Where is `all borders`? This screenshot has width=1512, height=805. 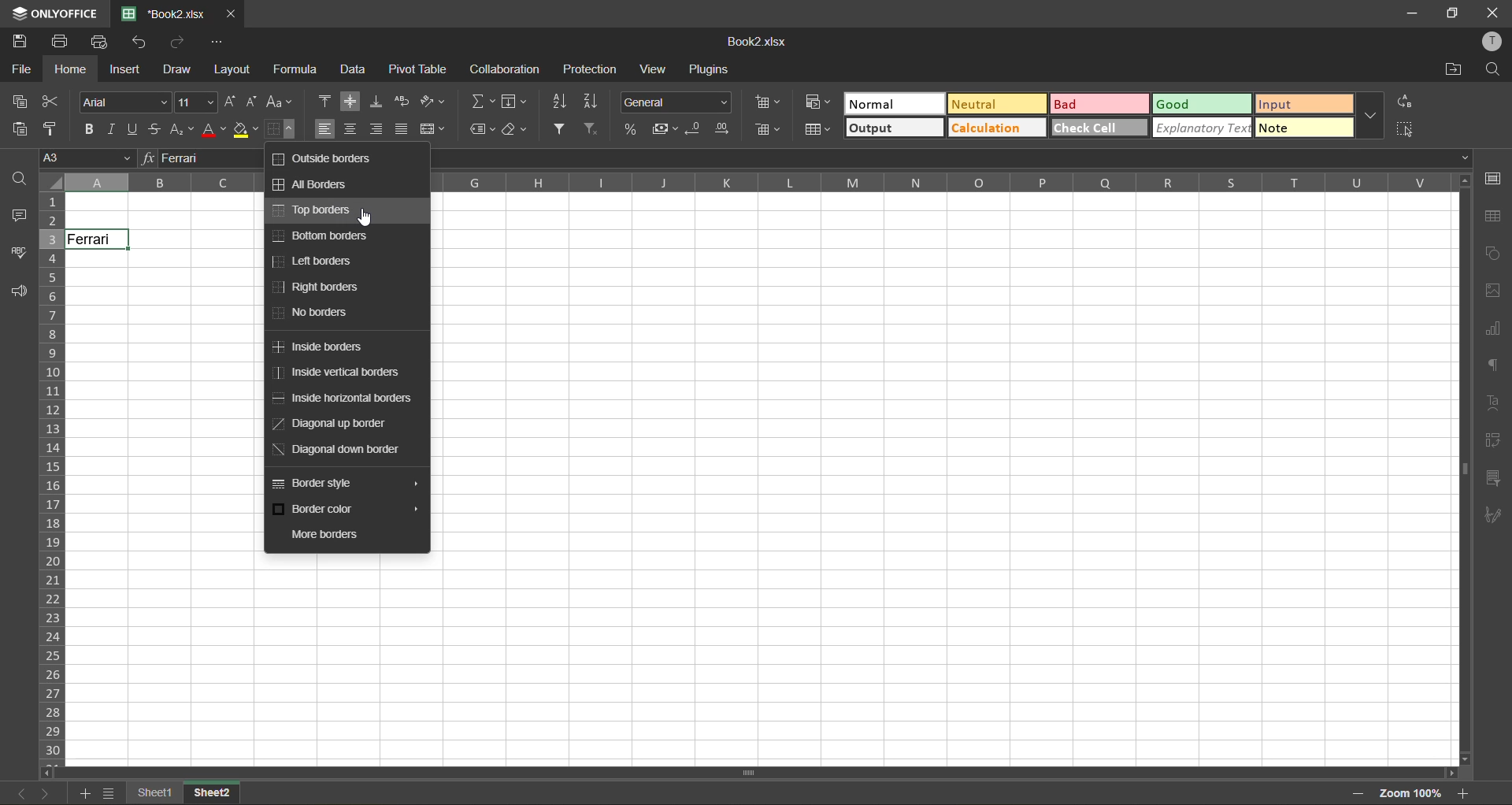 all borders is located at coordinates (312, 184).